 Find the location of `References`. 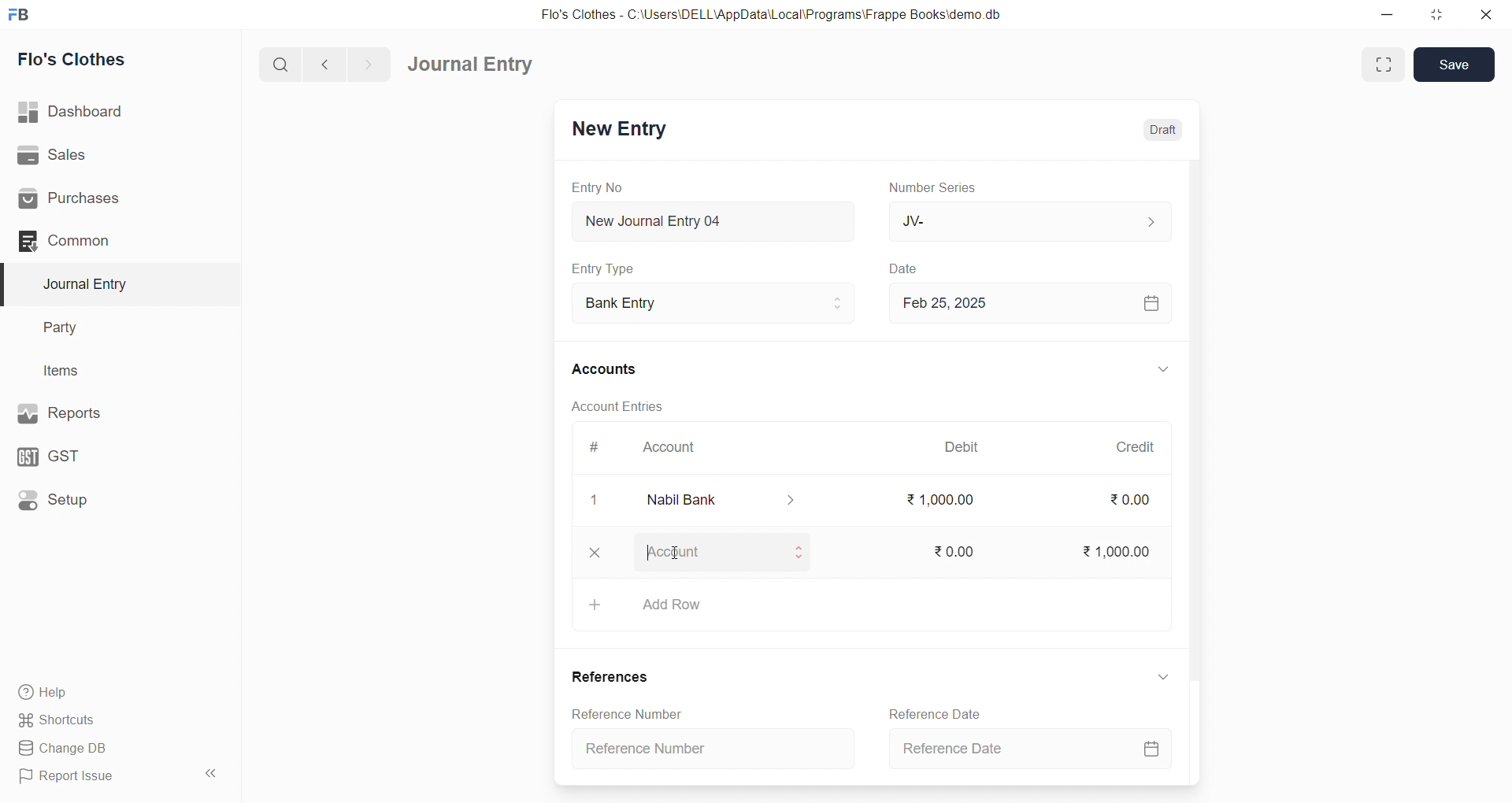

References is located at coordinates (610, 677).